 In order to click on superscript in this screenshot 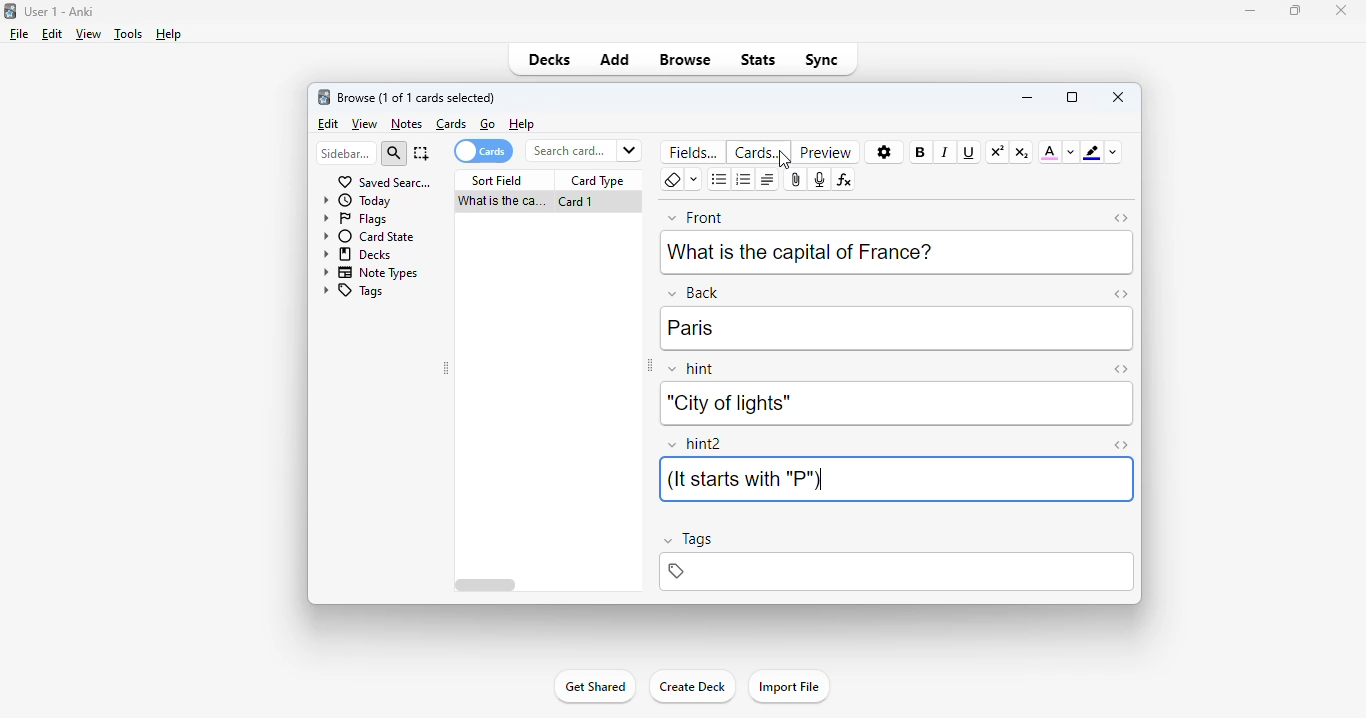, I will do `click(997, 152)`.